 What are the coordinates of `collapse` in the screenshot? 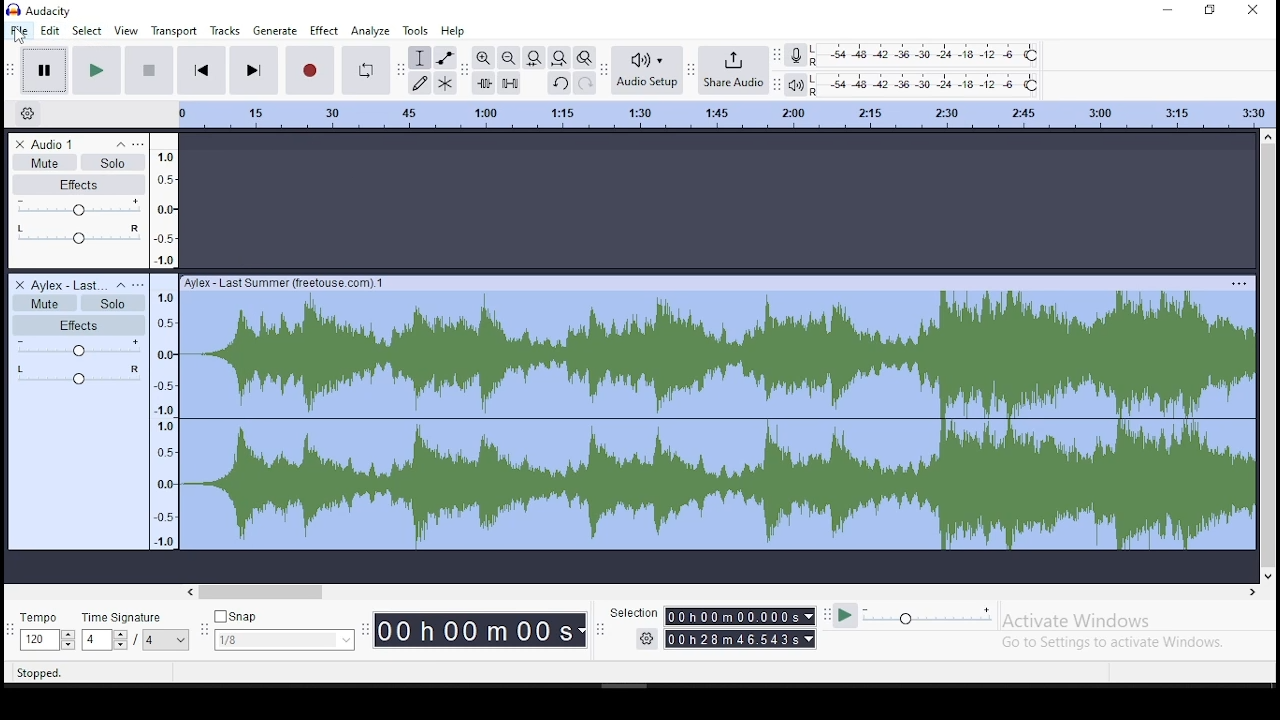 It's located at (124, 285).